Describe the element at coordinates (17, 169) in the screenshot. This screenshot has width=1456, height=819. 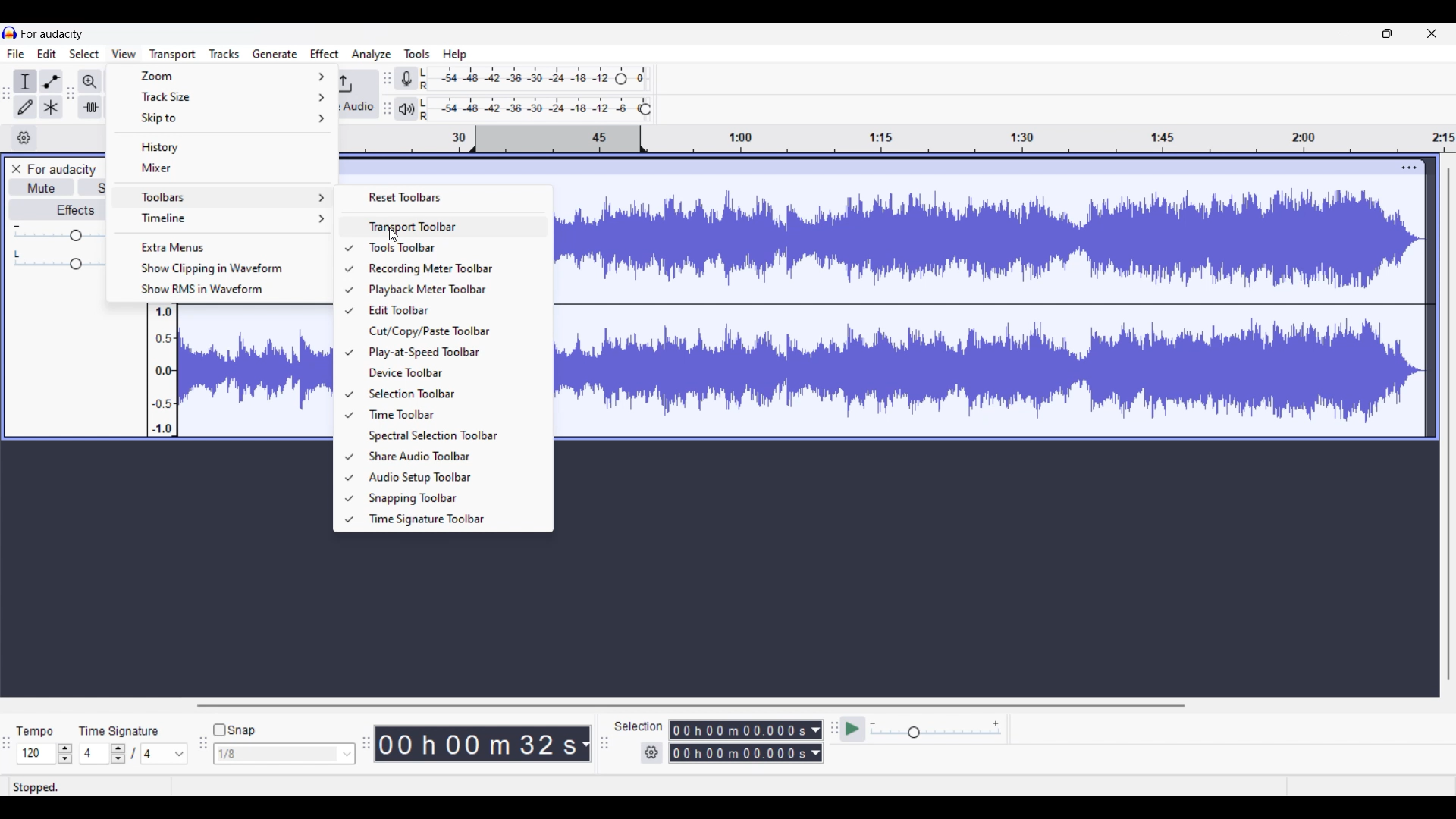
I see `Close track` at that location.